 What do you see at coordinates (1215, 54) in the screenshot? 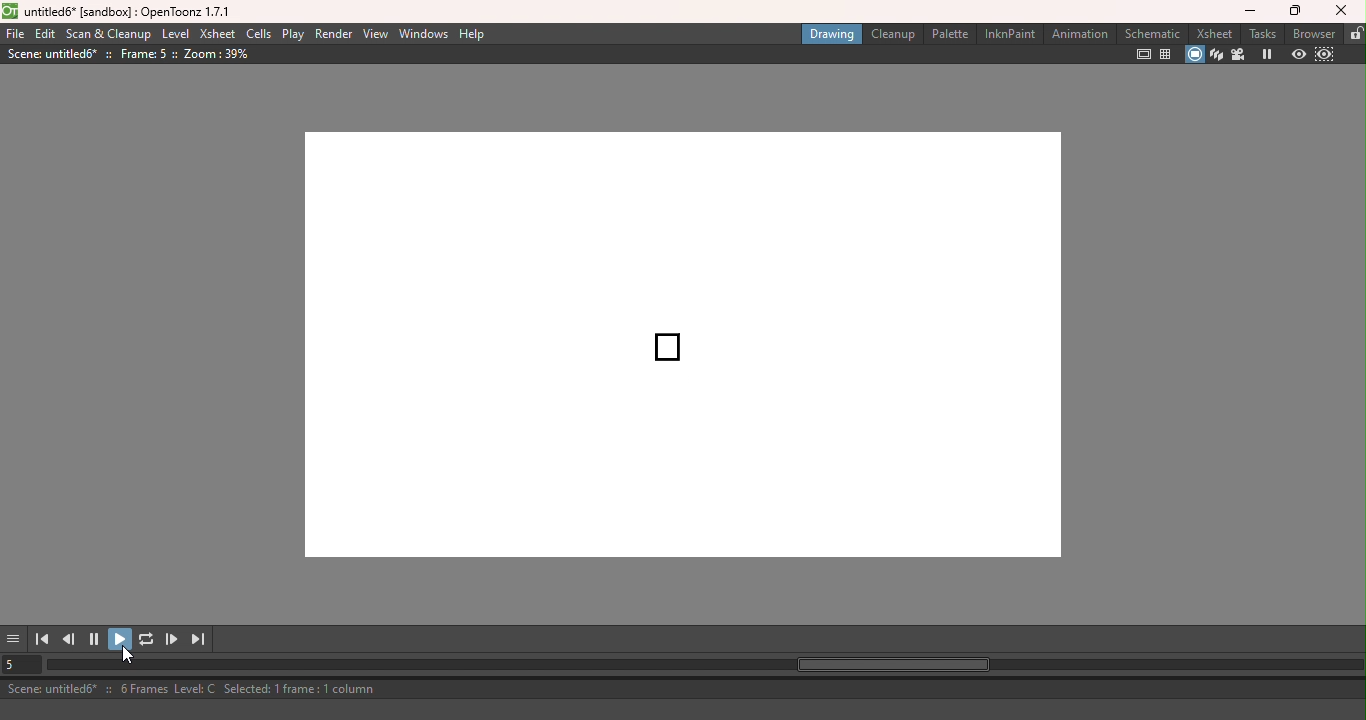
I see `3D View` at bounding box center [1215, 54].